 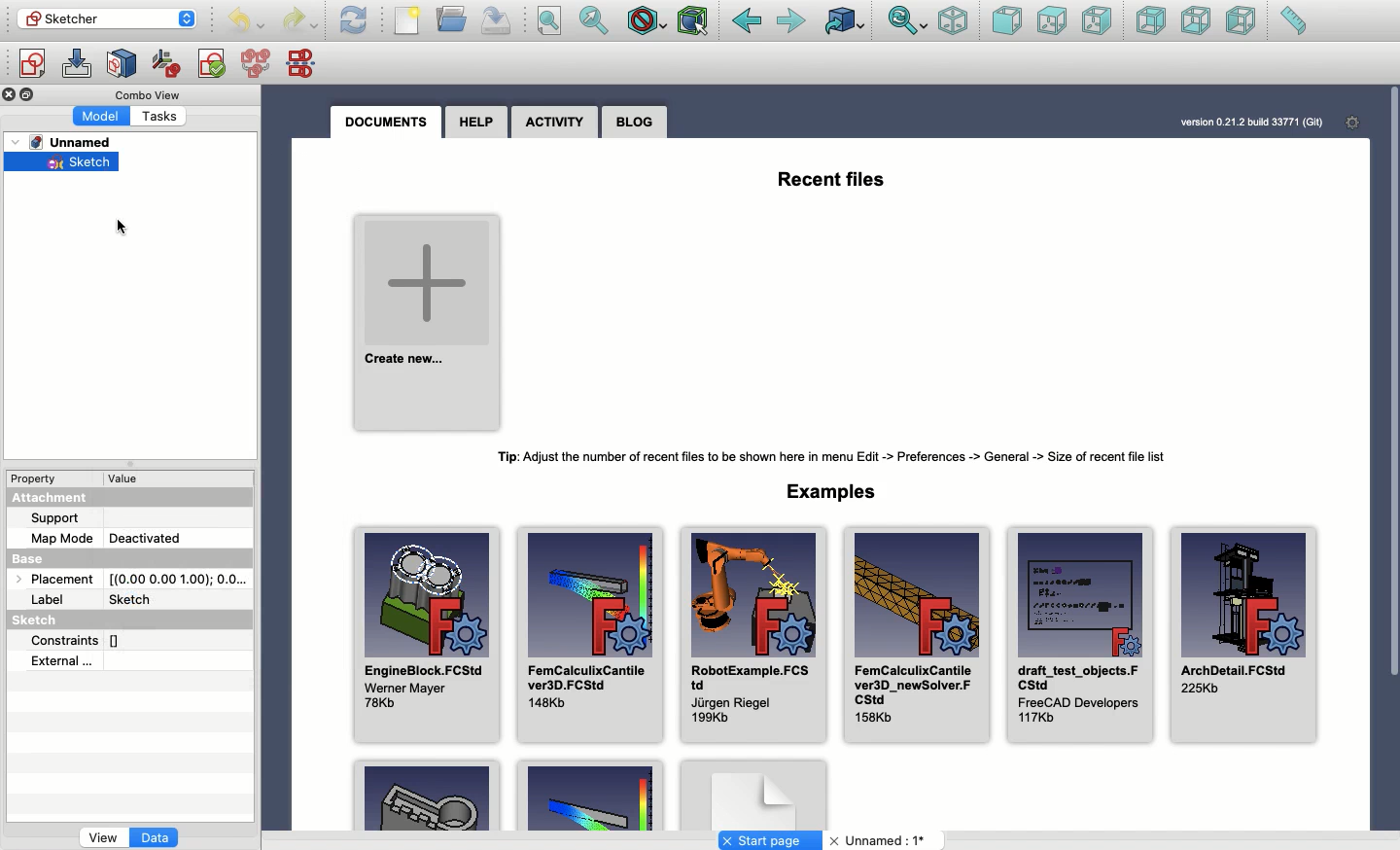 What do you see at coordinates (164, 115) in the screenshot?
I see `Tasks` at bounding box center [164, 115].